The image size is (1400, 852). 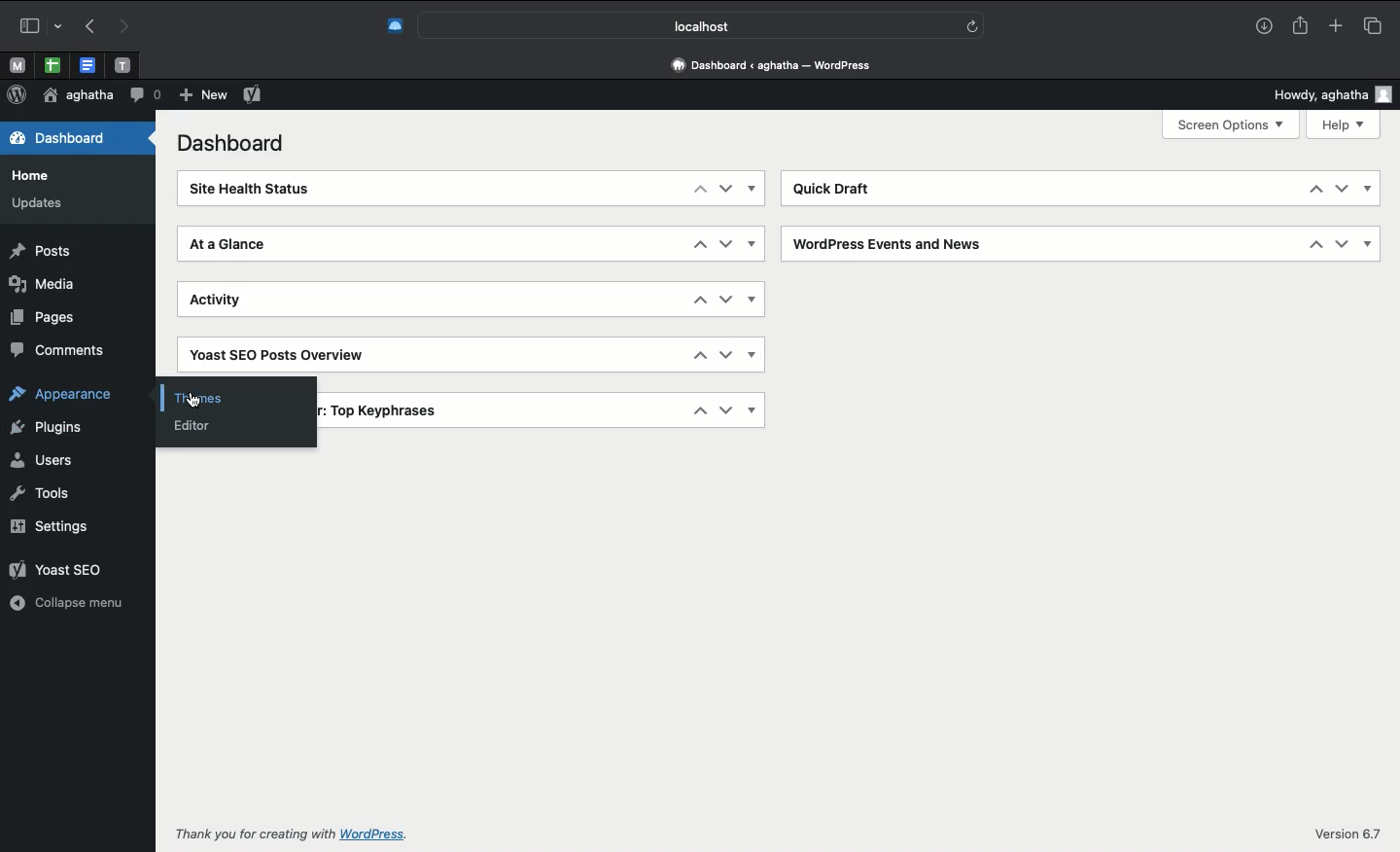 What do you see at coordinates (78, 95) in the screenshot?
I see `User` at bounding box center [78, 95].